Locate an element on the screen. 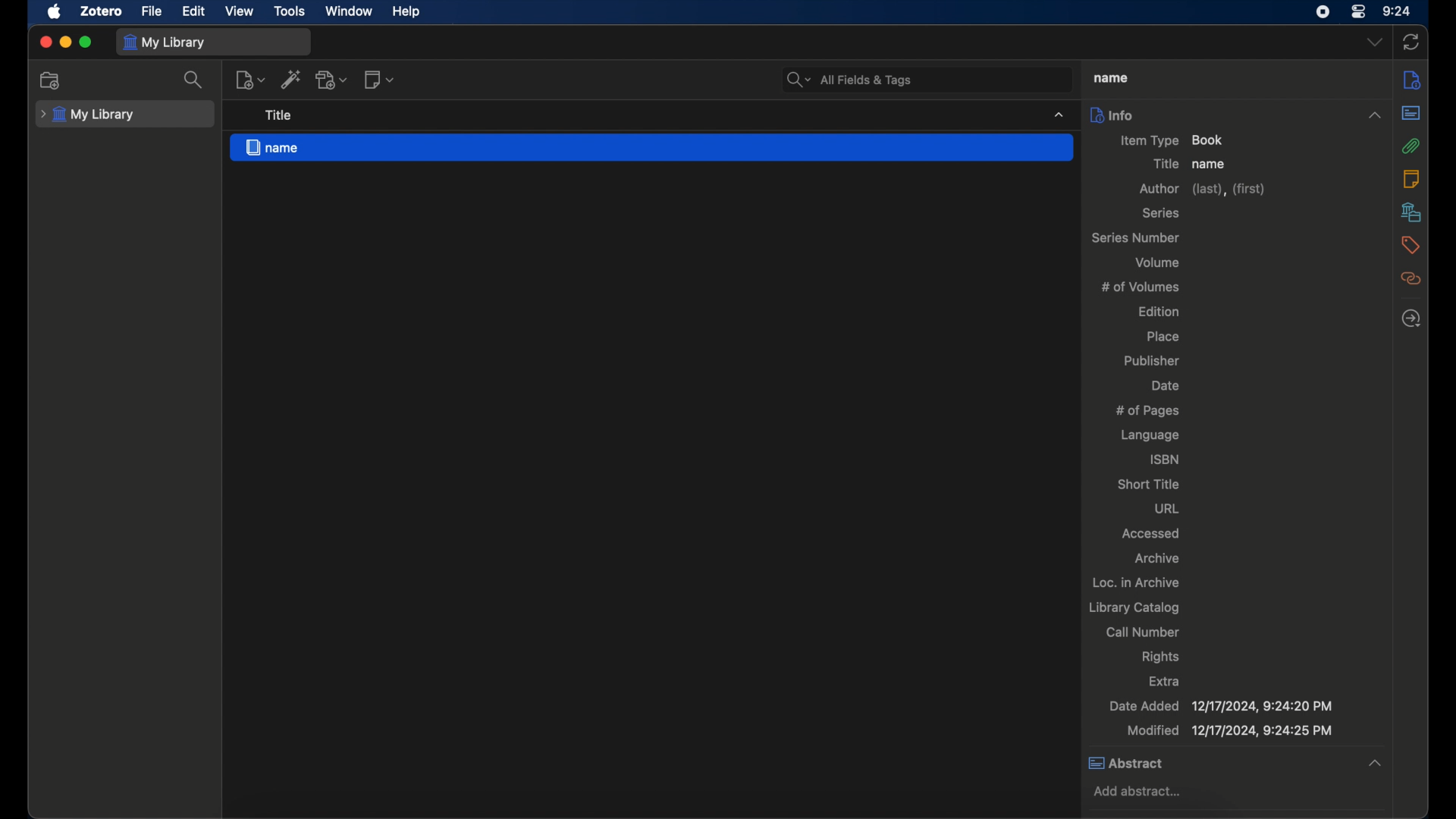  related is located at coordinates (1414, 279).